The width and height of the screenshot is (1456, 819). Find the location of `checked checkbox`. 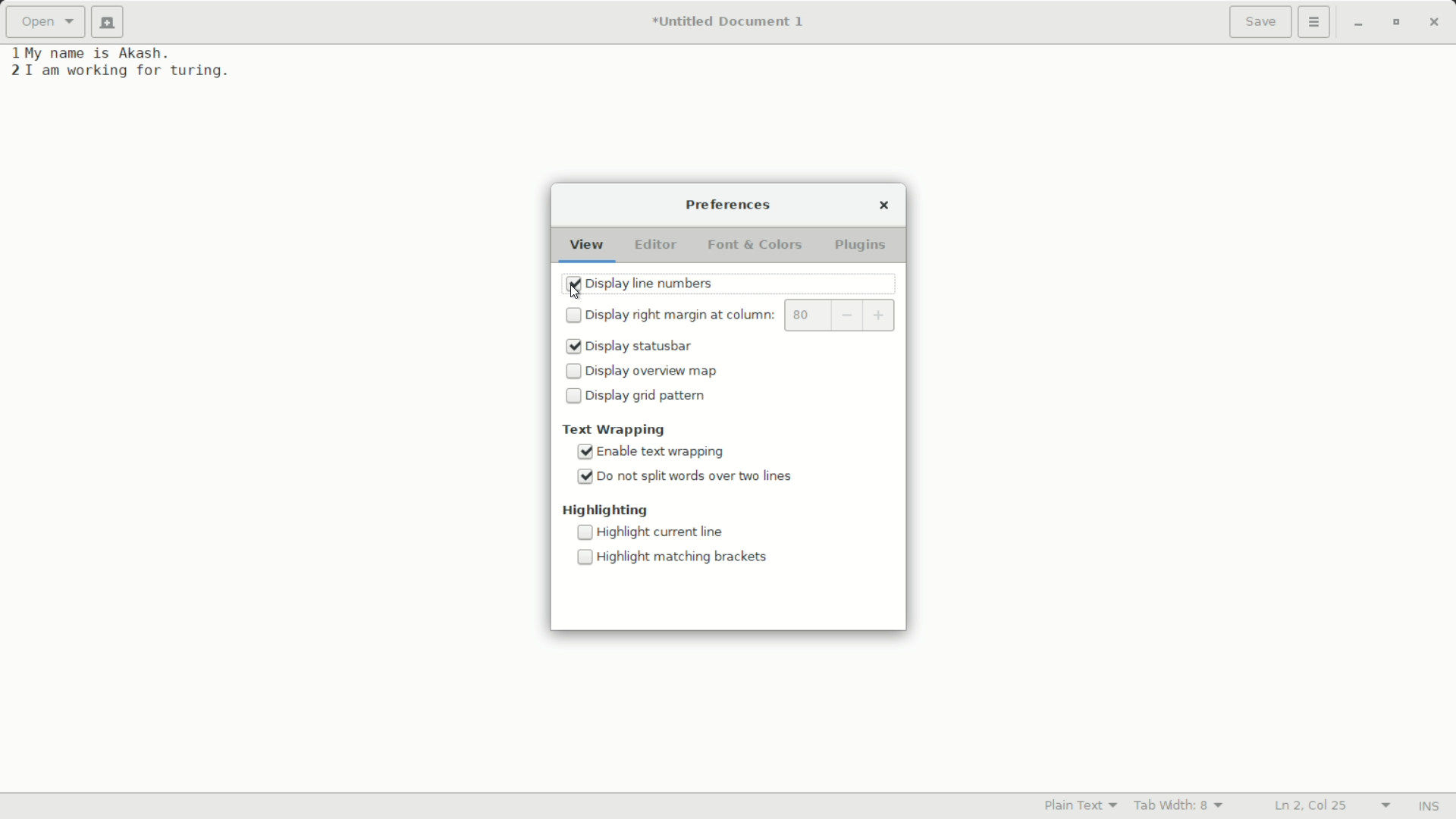

checked checkbox is located at coordinates (573, 347).